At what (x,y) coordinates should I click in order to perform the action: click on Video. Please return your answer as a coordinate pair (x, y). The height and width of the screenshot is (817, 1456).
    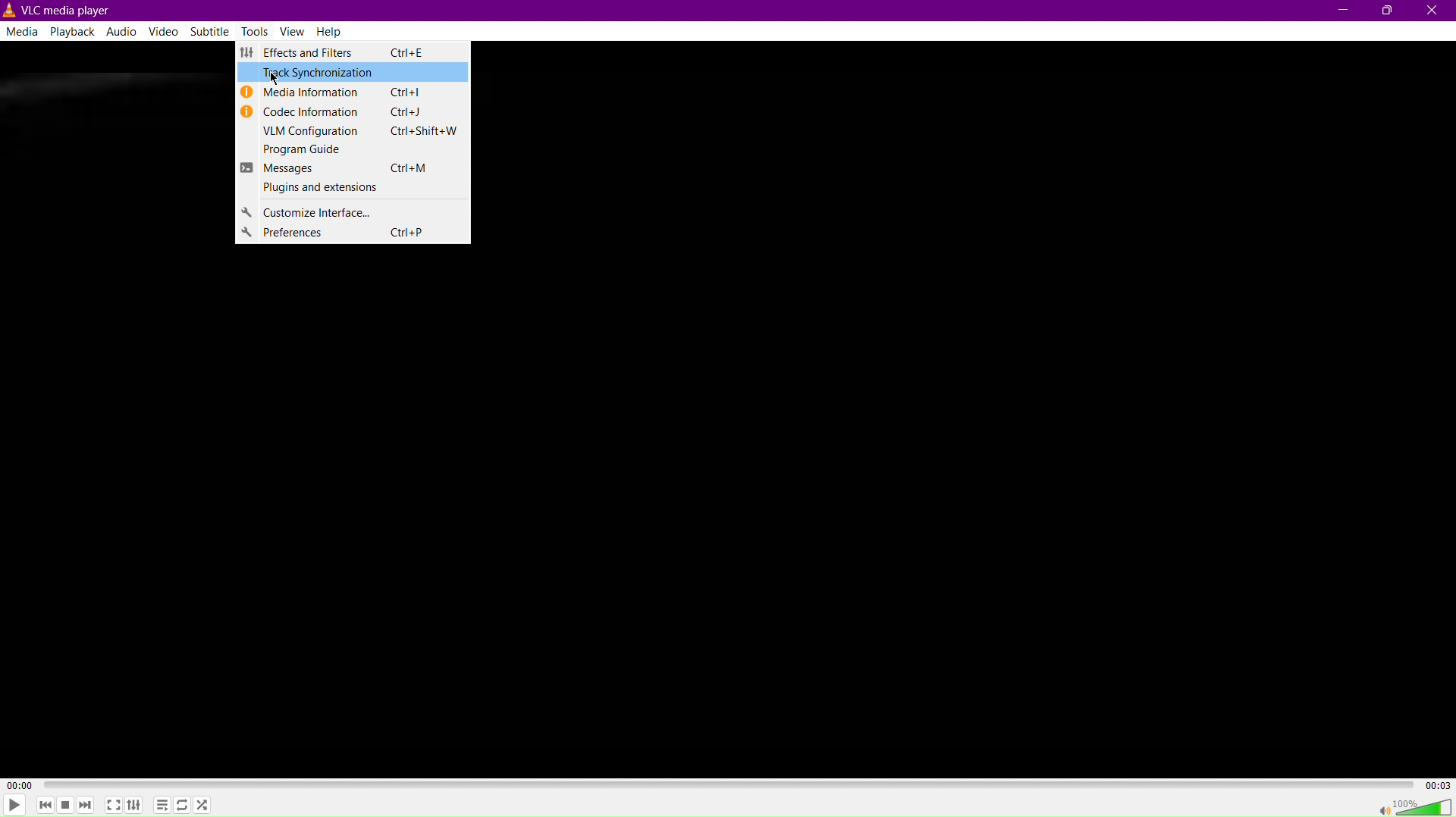
    Looking at the image, I should click on (166, 32).